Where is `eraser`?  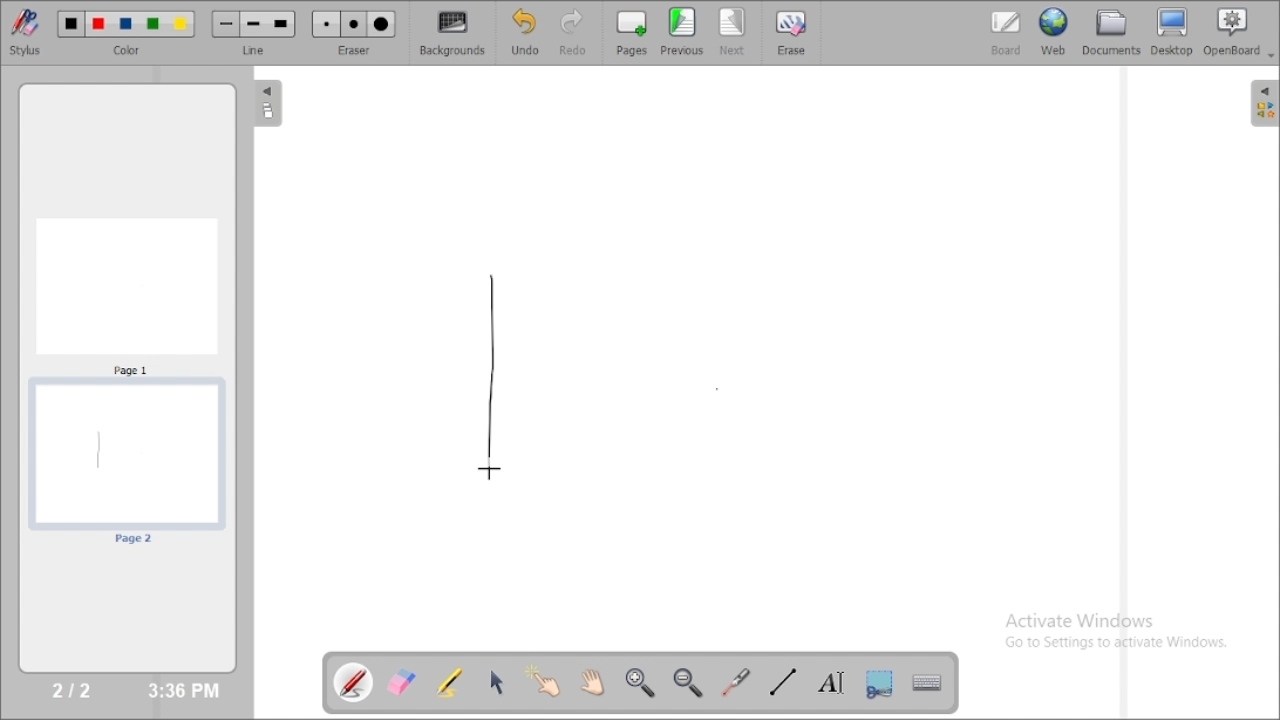
eraser is located at coordinates (354, 50).